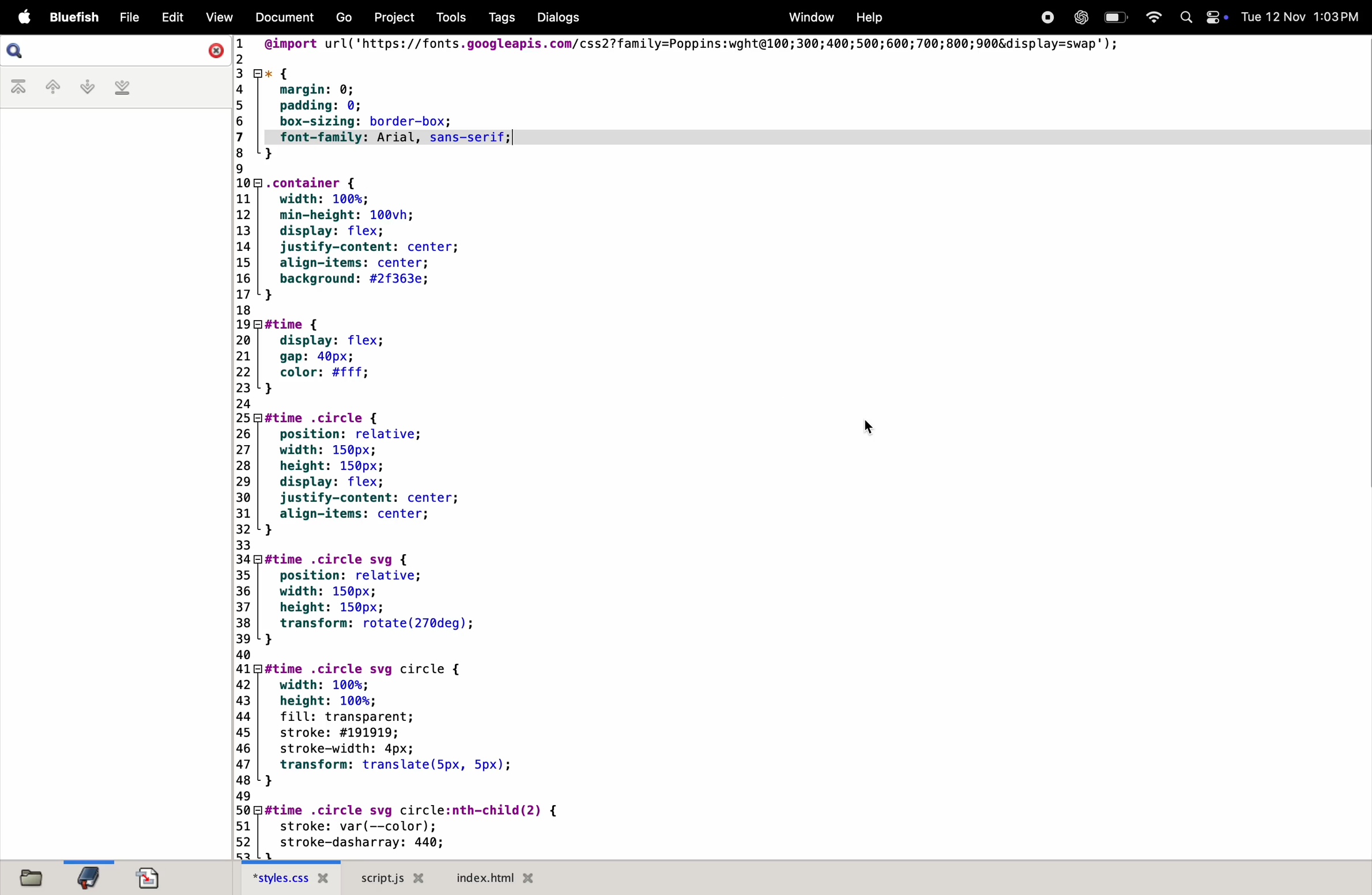  Describe the element at coordinates (295, 878) in the screenshot. I see `style.css` at that location.